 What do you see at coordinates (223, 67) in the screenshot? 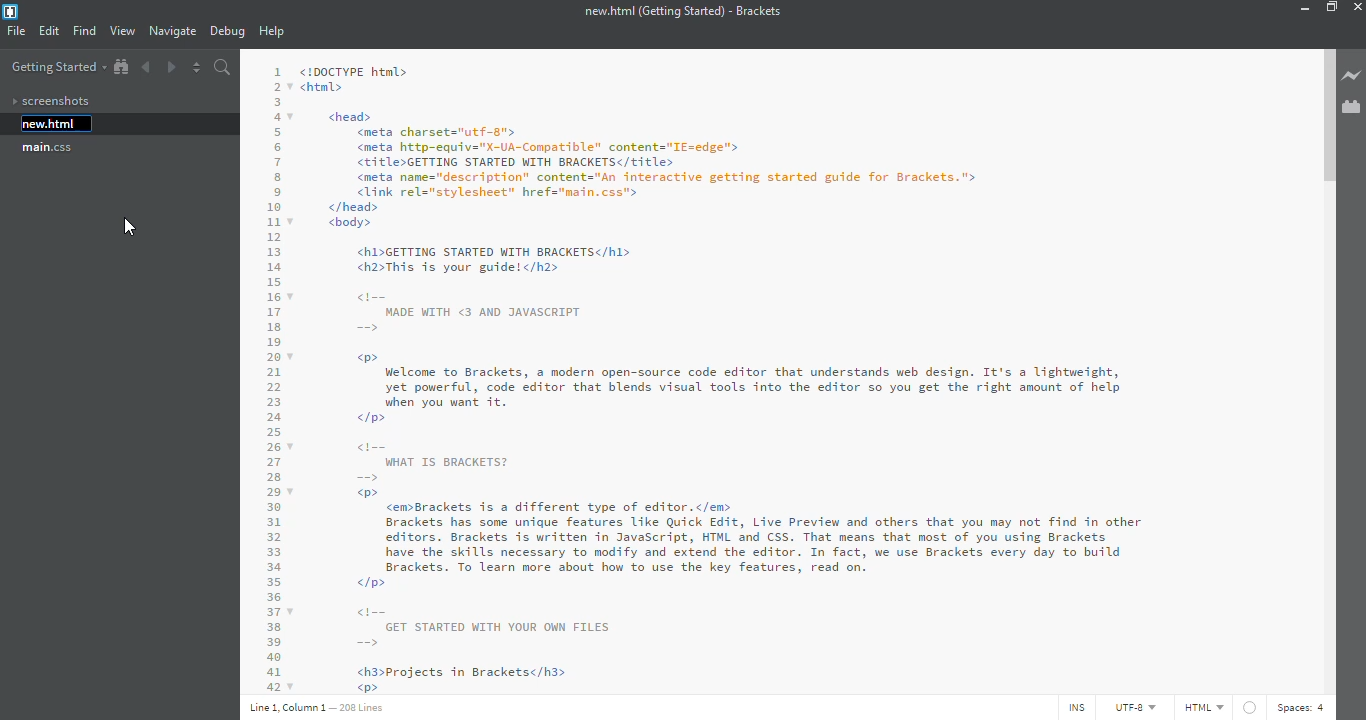
I see `search` at bounding box center [223, 67].